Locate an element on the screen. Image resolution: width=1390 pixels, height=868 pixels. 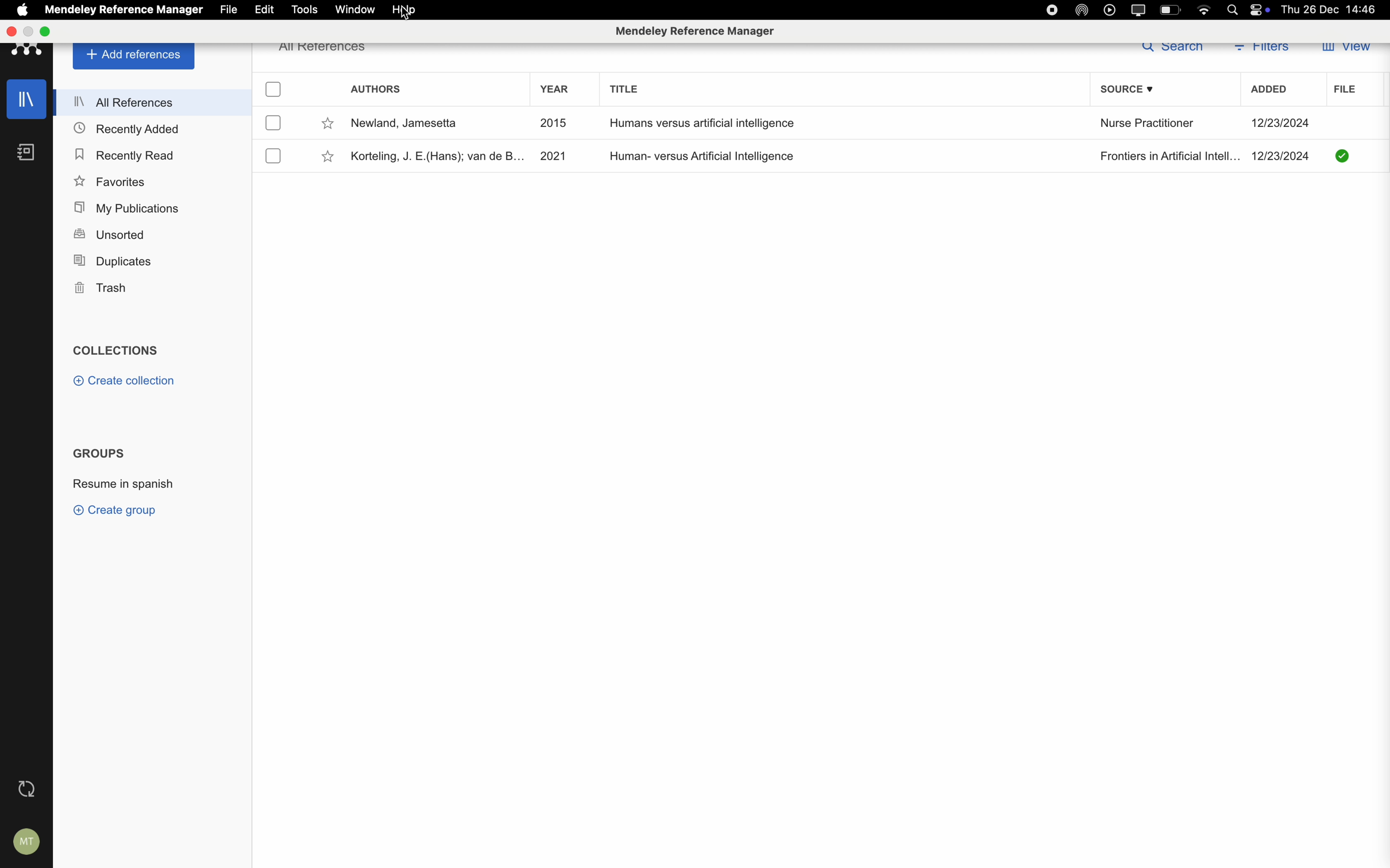
minimize Mendeley is located at coordinates (29, 31).